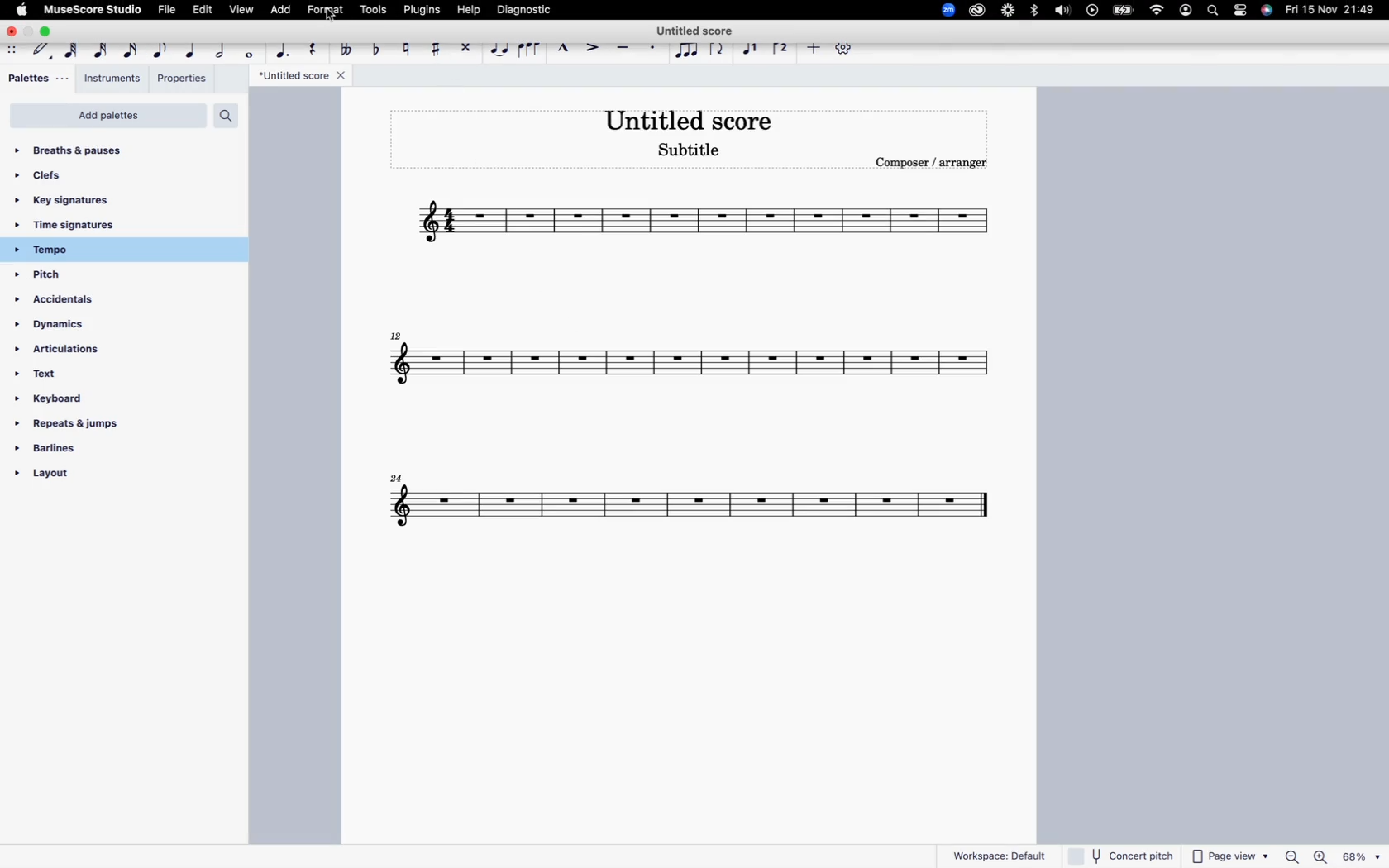 The image size is (1389, 868). What do you see at coordinates (655, 50) in the screenshot?
I see `staccato` at bounding box center [655, 50].